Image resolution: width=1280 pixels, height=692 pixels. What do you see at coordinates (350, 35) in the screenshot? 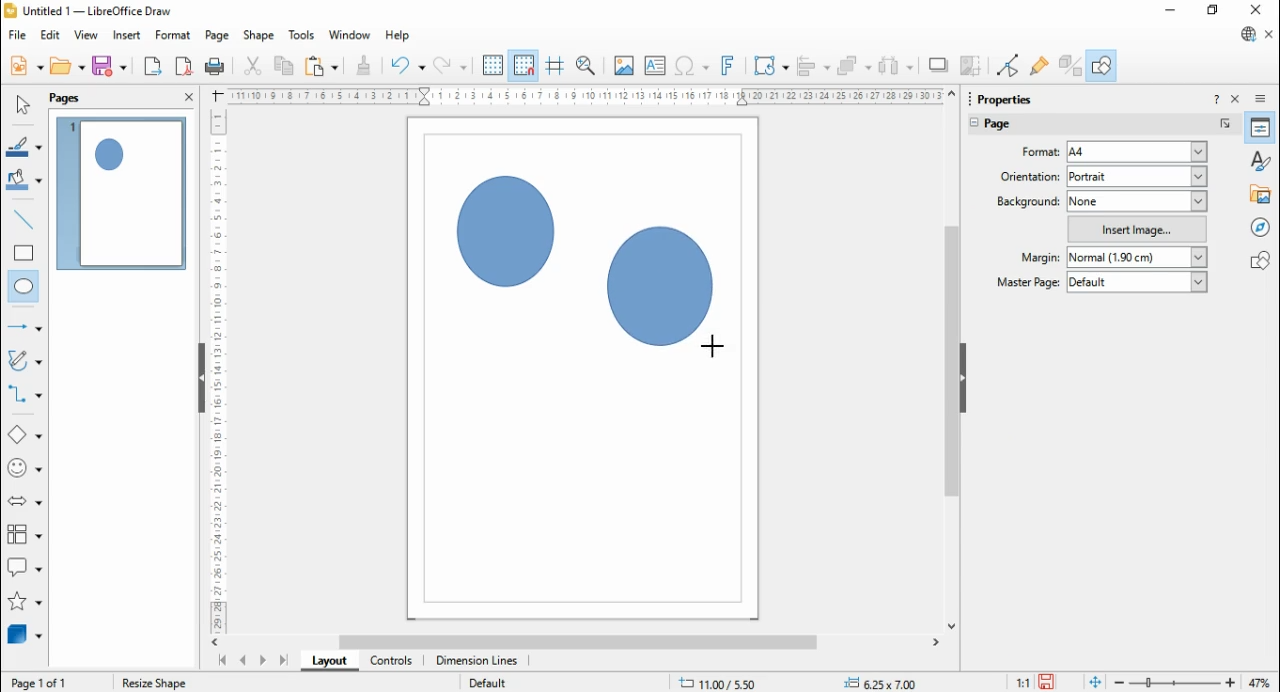
I see `window` at bounding box center [350, 35].